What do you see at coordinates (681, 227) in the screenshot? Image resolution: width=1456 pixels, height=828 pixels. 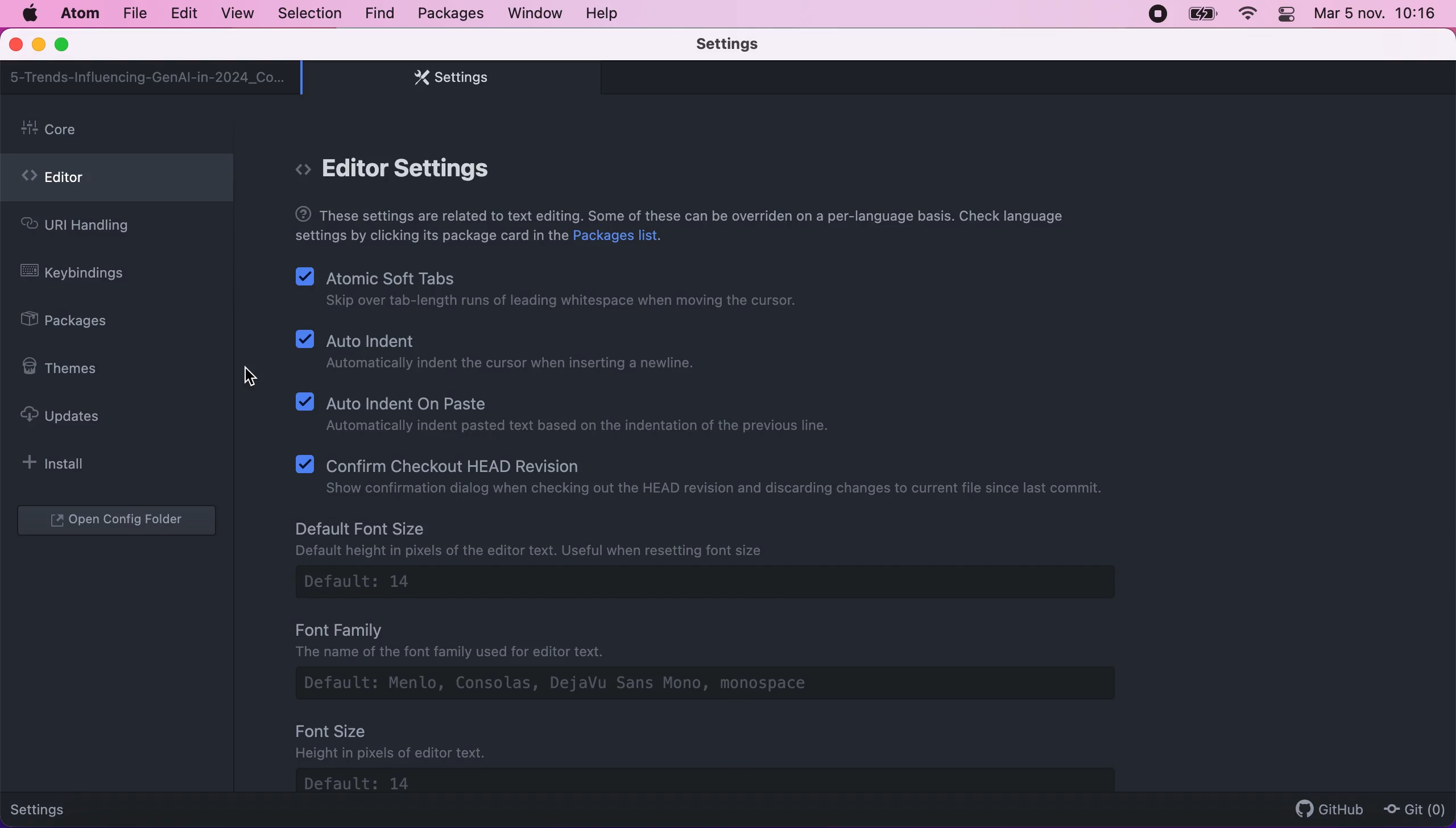 I see `text editing settings` at bounding box center [681, 227].